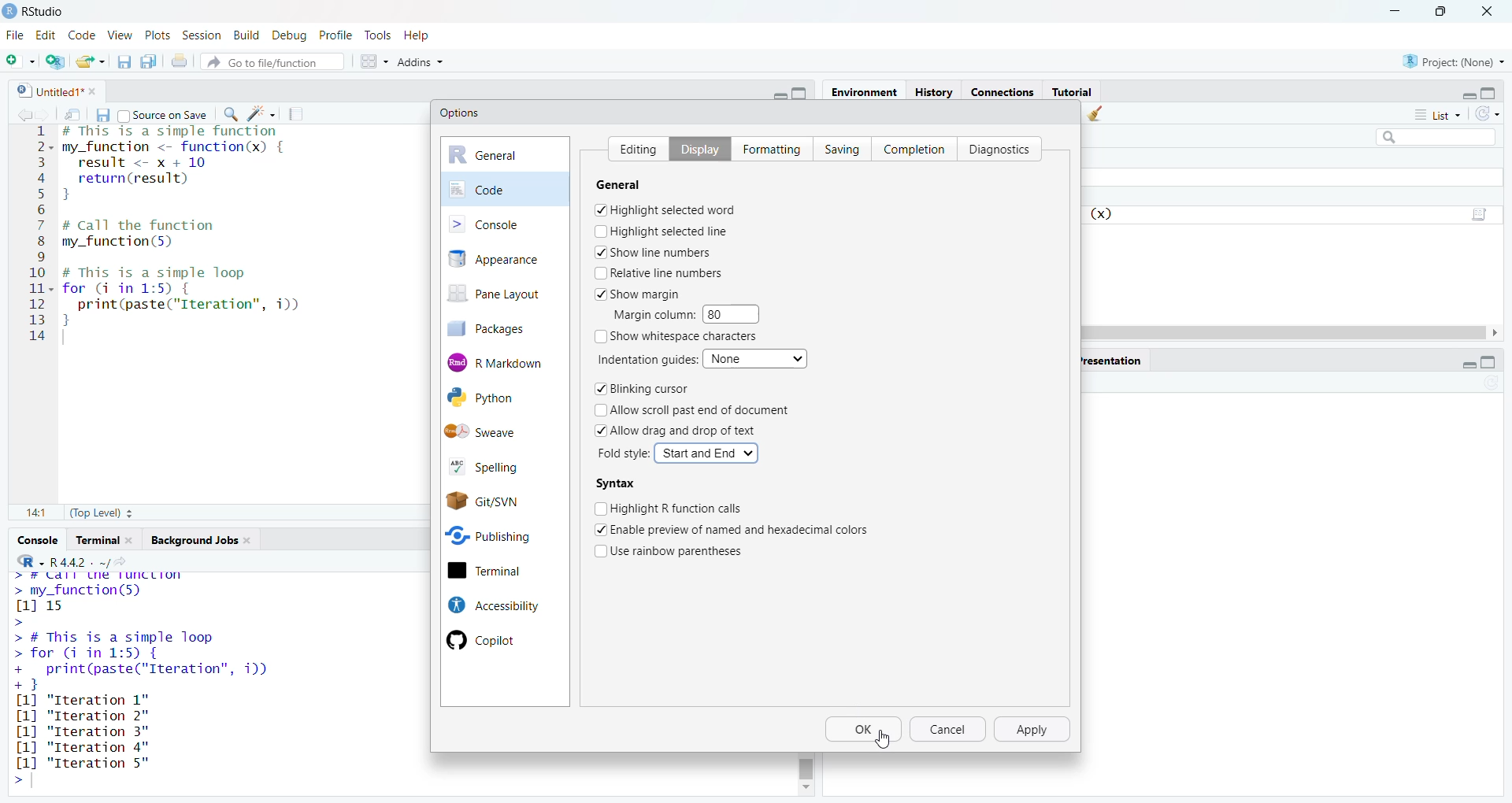  I want to click on view, so click(120, 35).